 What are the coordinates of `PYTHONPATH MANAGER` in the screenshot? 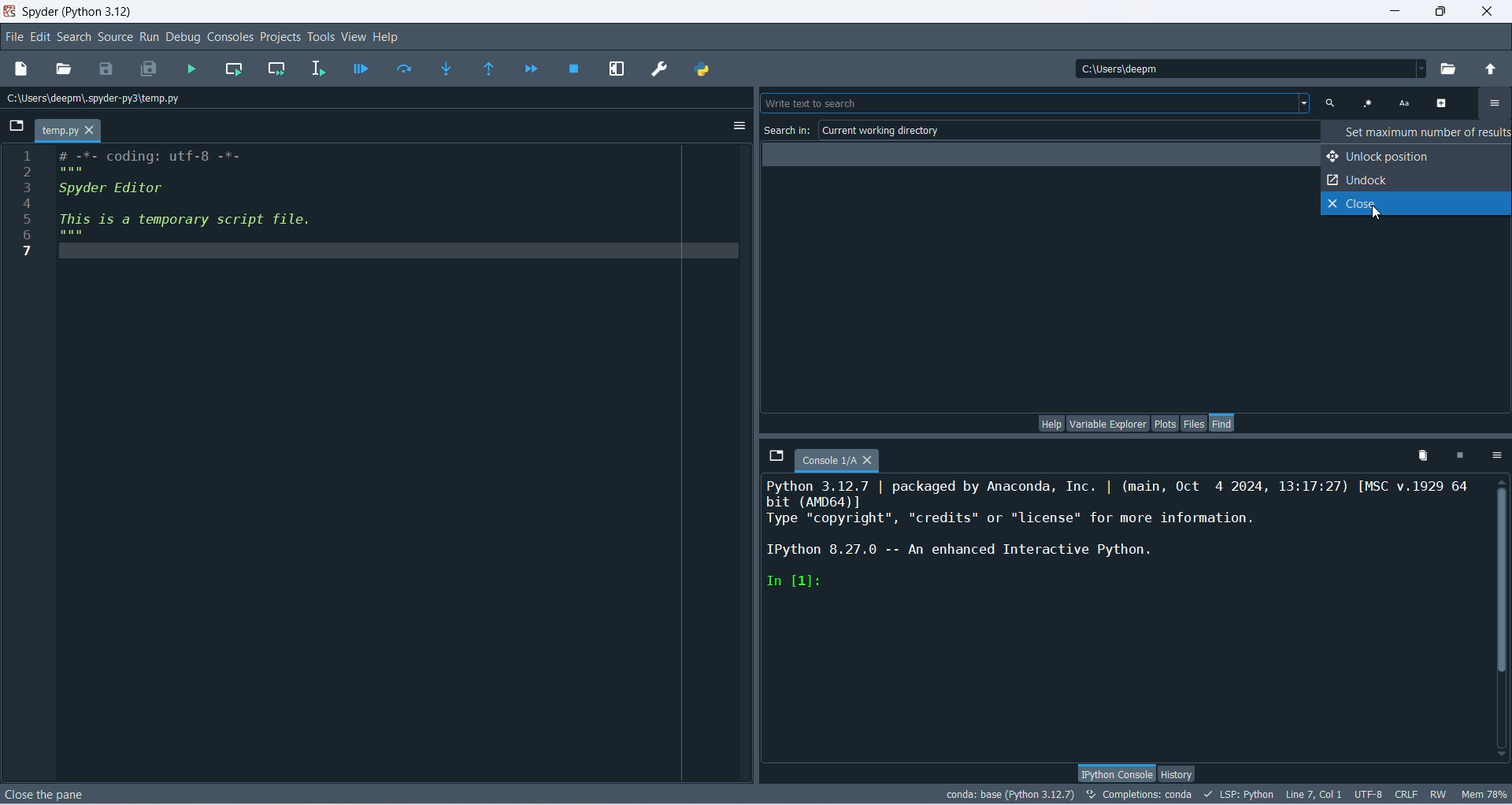 It's located at (701, 69).